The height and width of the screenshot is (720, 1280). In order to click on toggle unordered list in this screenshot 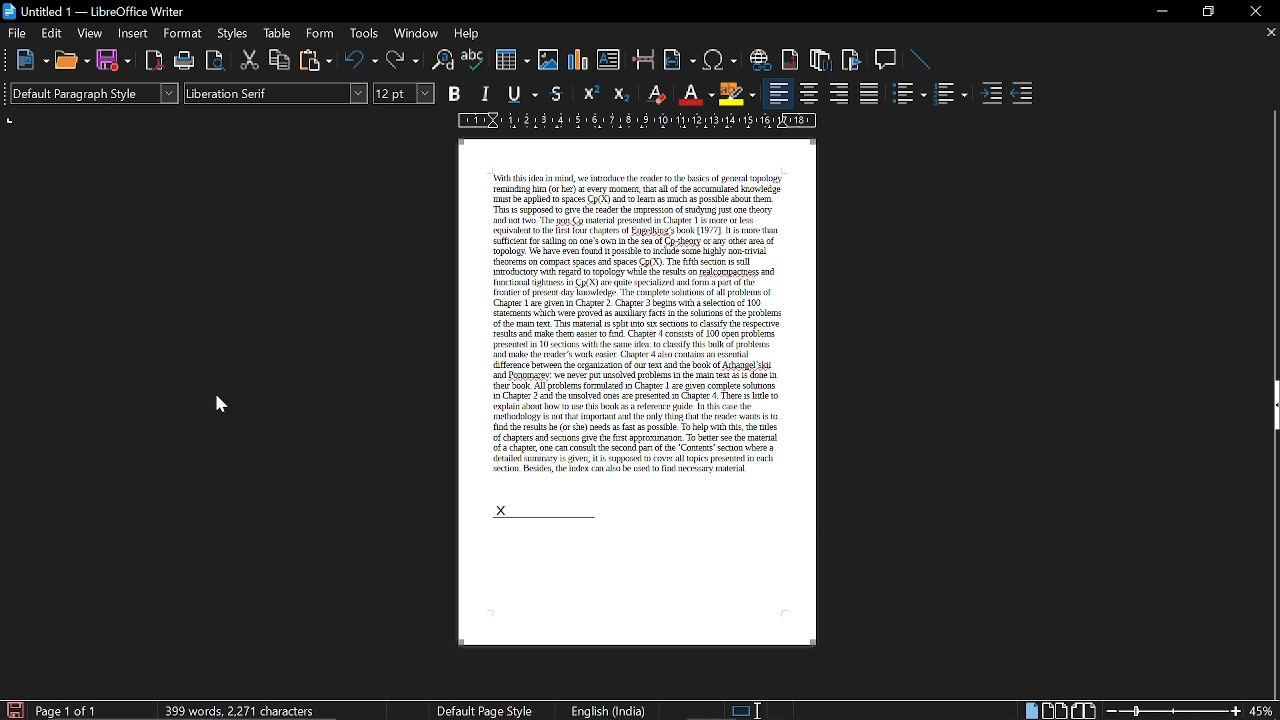, I will do `click(908, 95)`.